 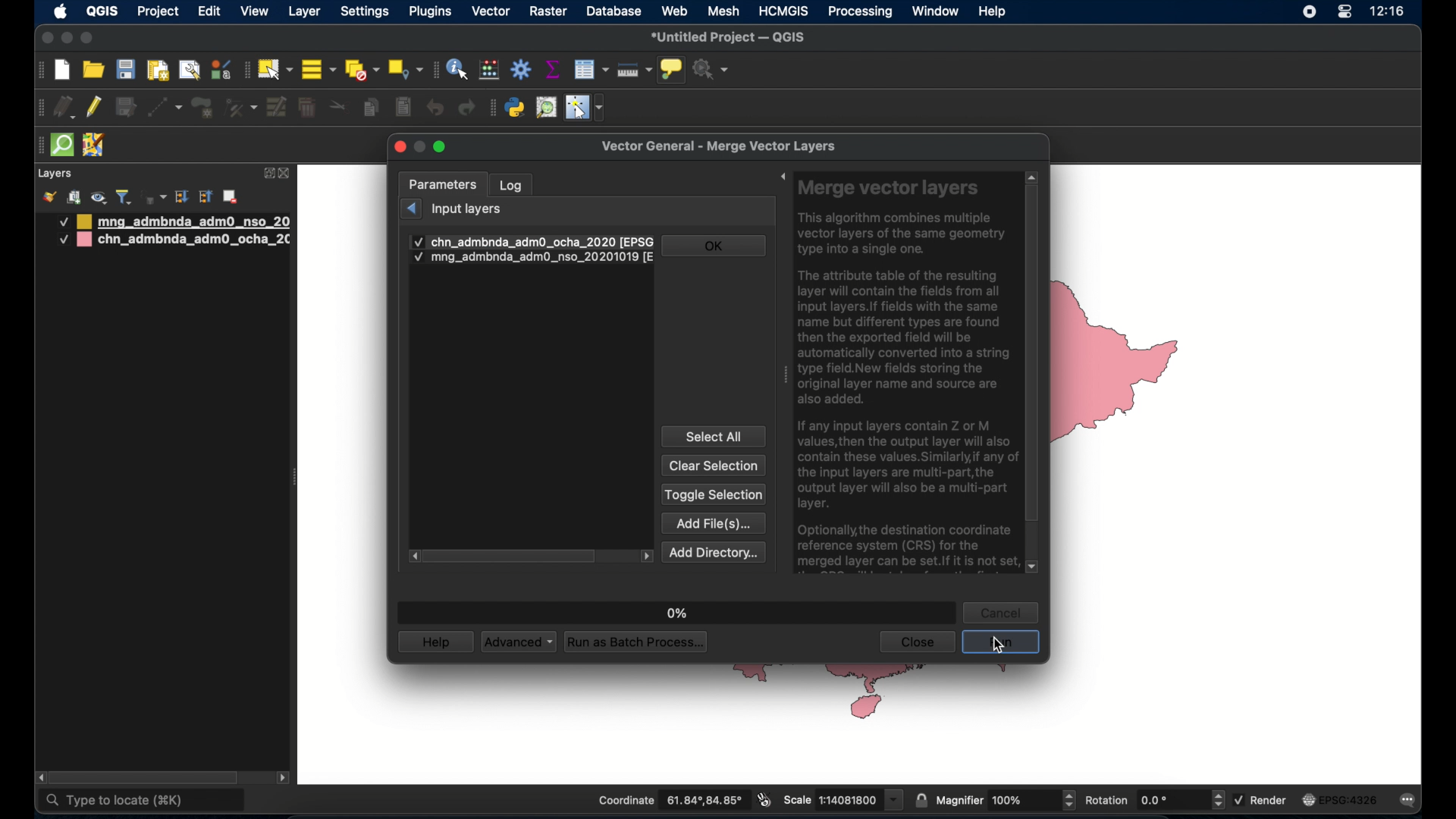 What do you see at coordinates (1003, 612) in the screenshot?
I see `cancel` at bounding box center [1003, 612].